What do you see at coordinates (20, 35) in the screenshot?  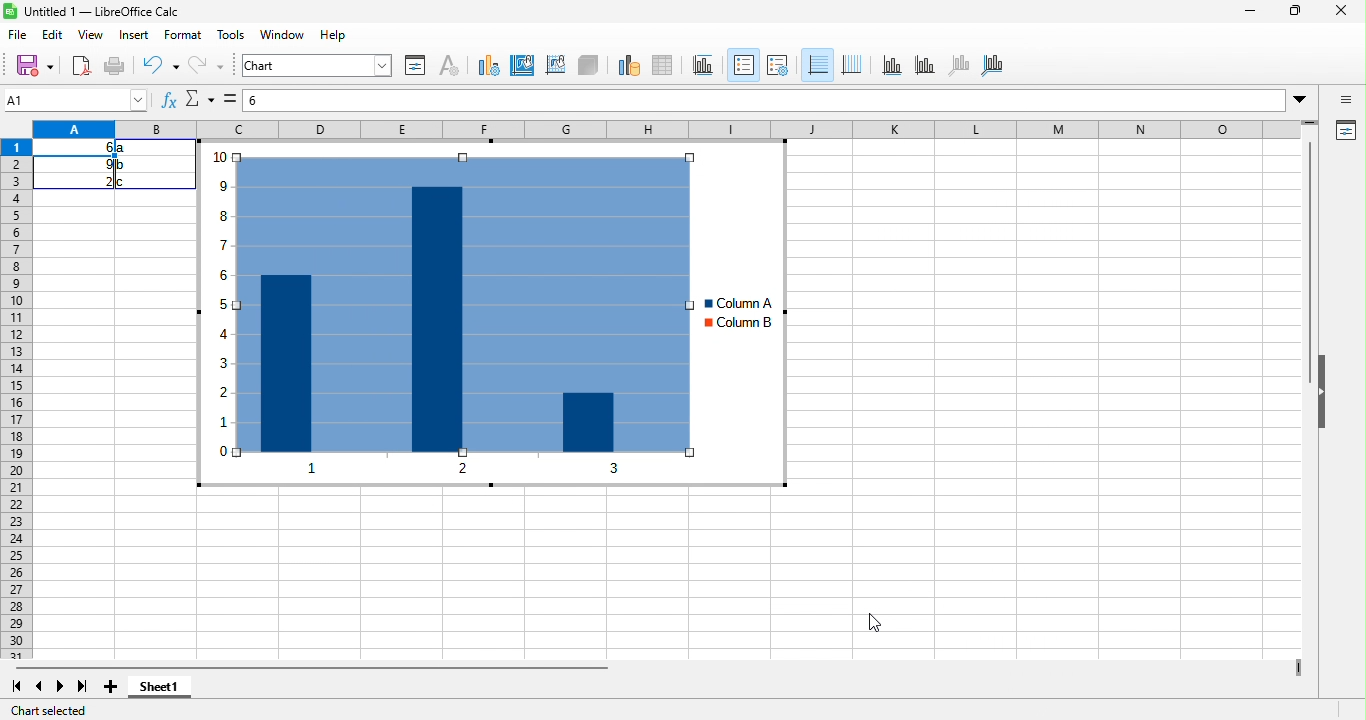 I see `file` at bounding box center [20, 35].